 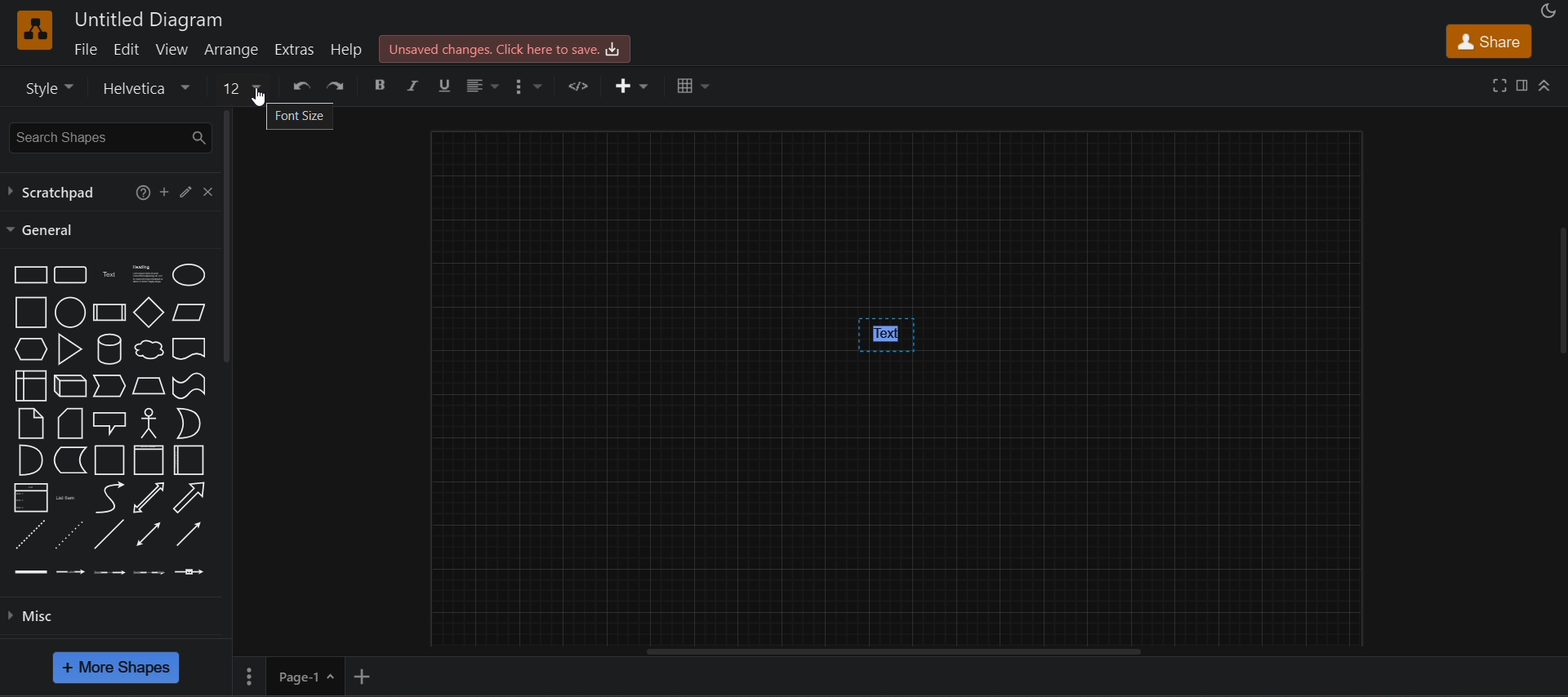 What do you see at coordinates (381, 86) in the screenshot?
I see `bold` at bounding box center [381, 86].